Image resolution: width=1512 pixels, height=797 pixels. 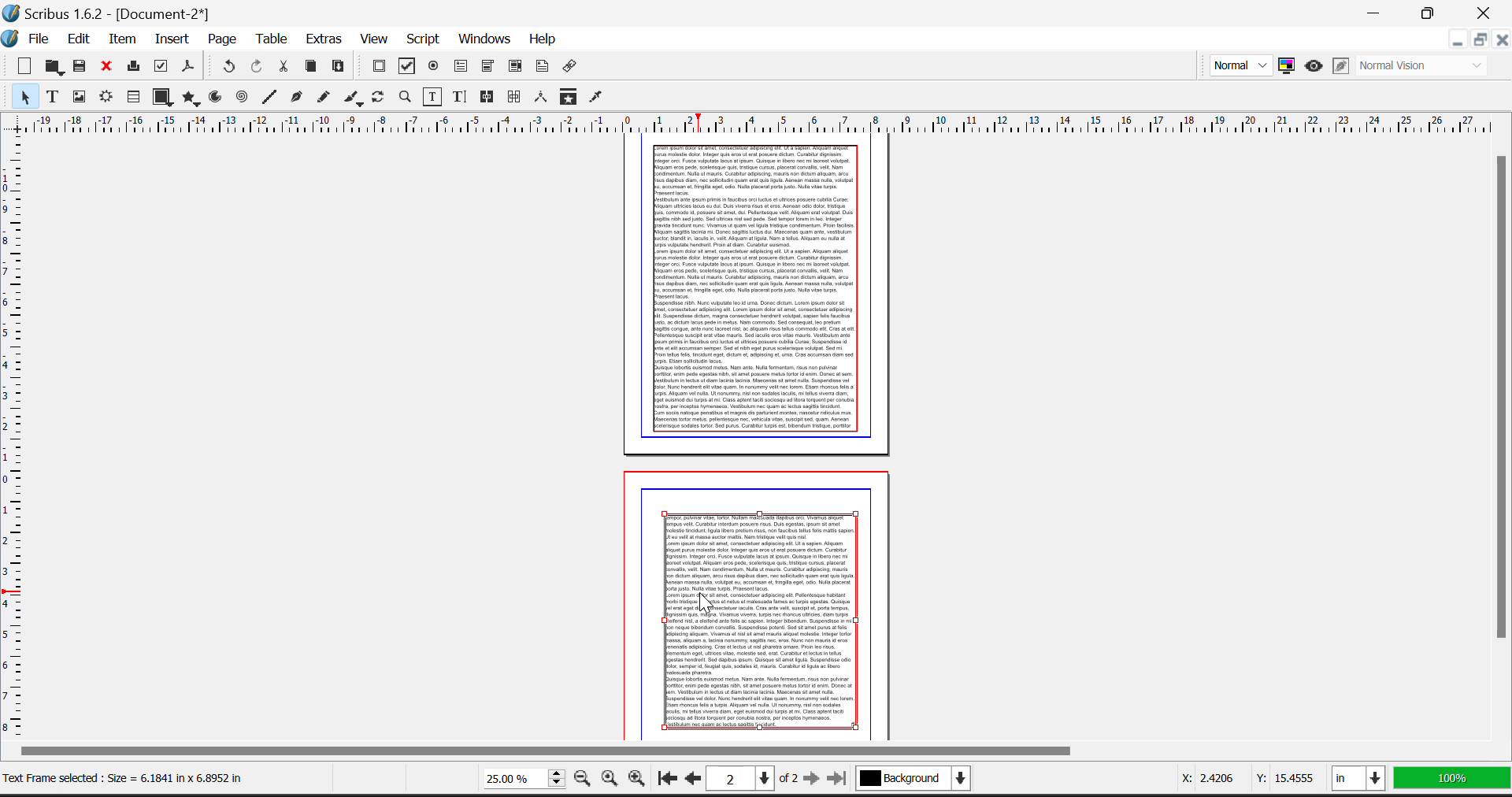 I want to click on Copy, so click(x=312, y=68).